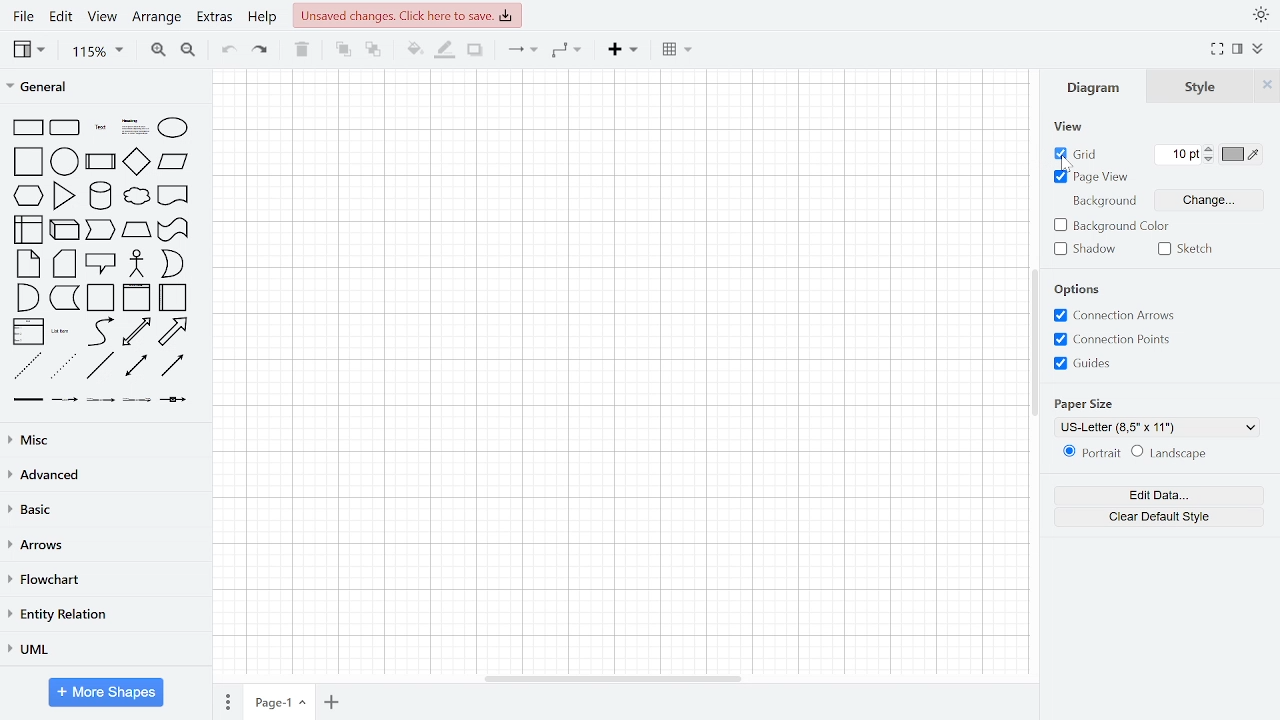 The height and width of the screenshot is (720, 1280). Describe the element at coordinates (102, 649) in the screenshot. I see `UML` at that location.